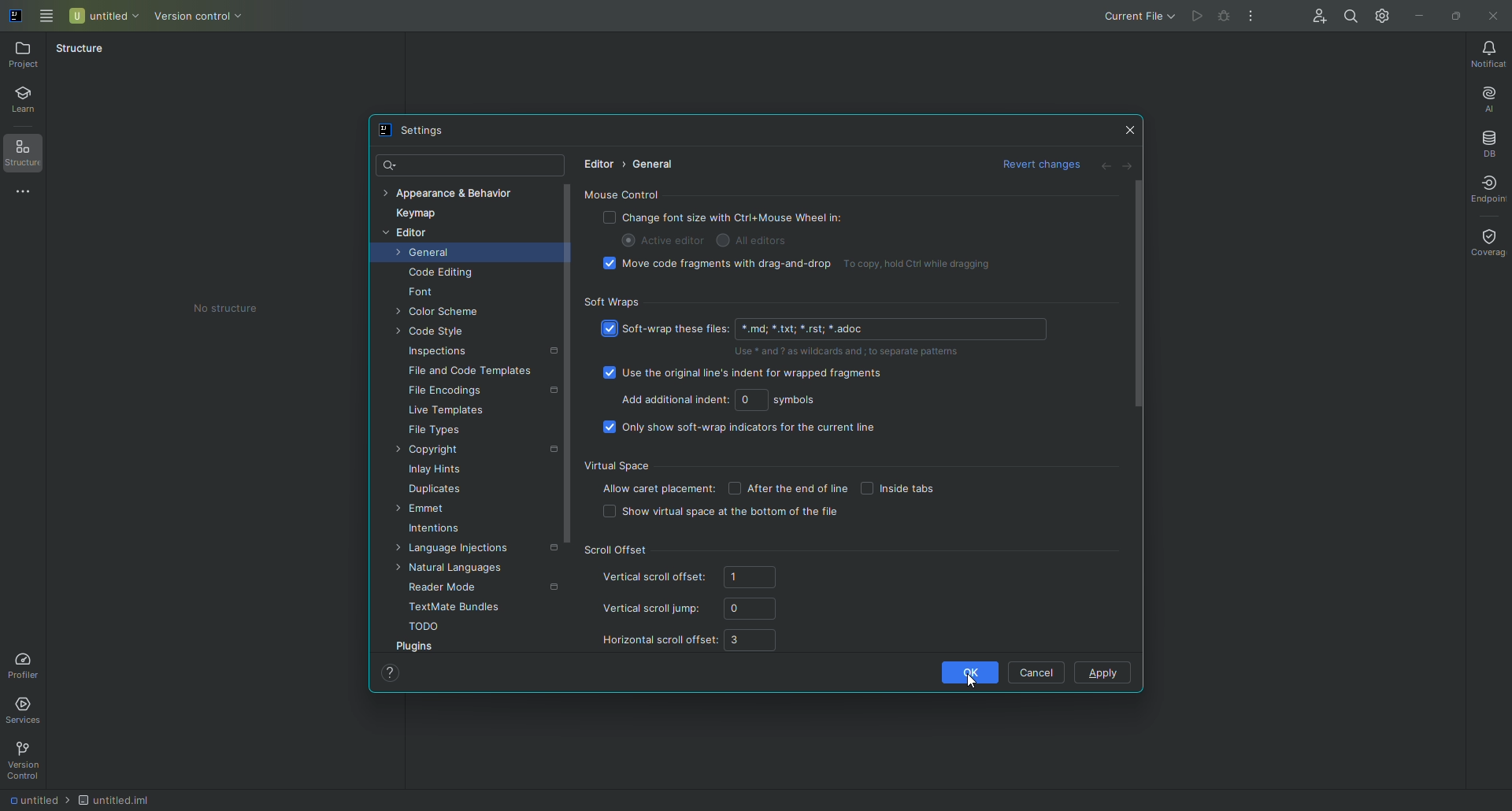 This screenshot has height=811, width=1512. I want to click on Close, so click(1492, 17).